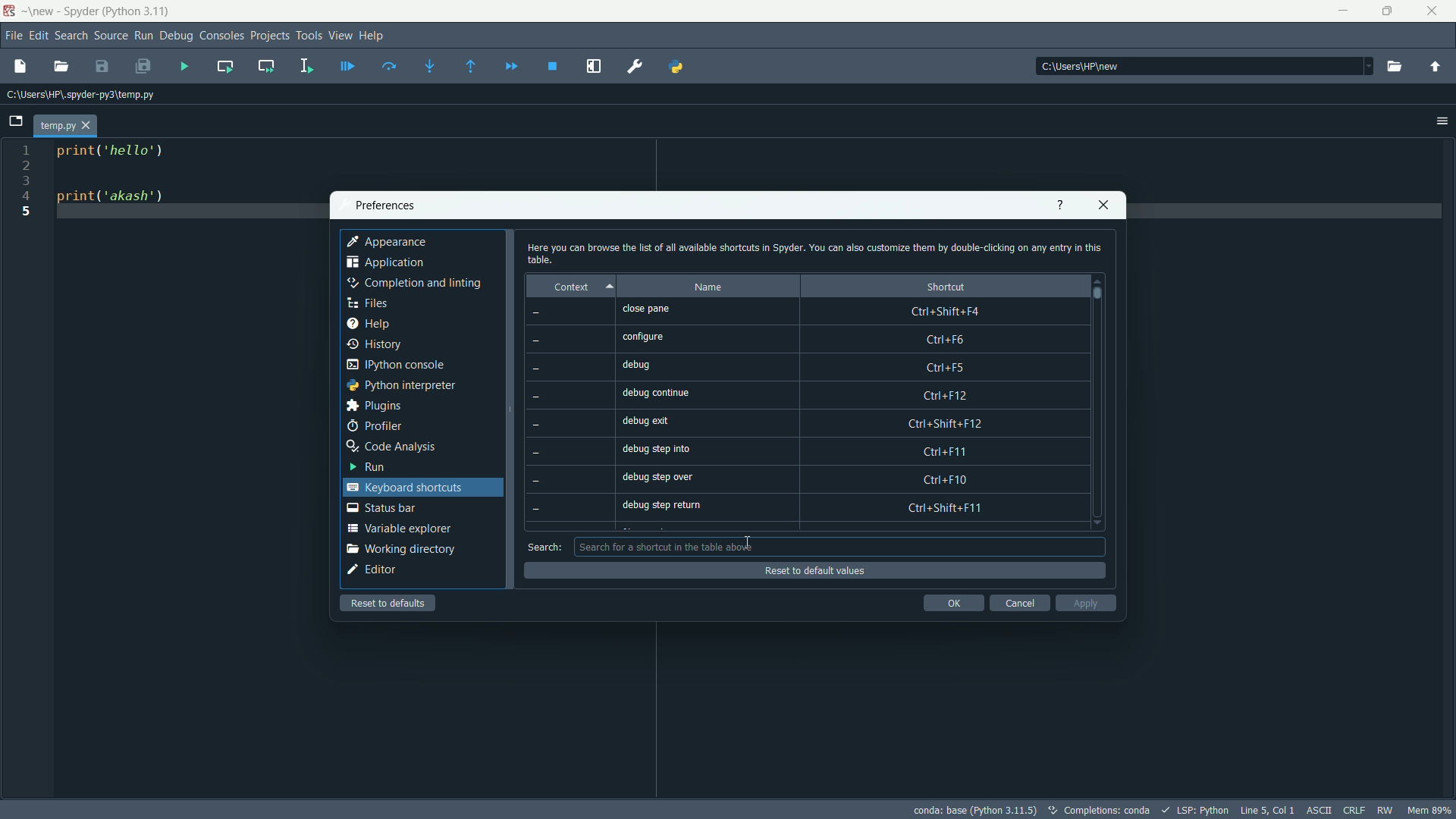 The image size is (1456, 819). Describe the element at coordinates (576, 287) in the screenshot. I see `context` at that location.